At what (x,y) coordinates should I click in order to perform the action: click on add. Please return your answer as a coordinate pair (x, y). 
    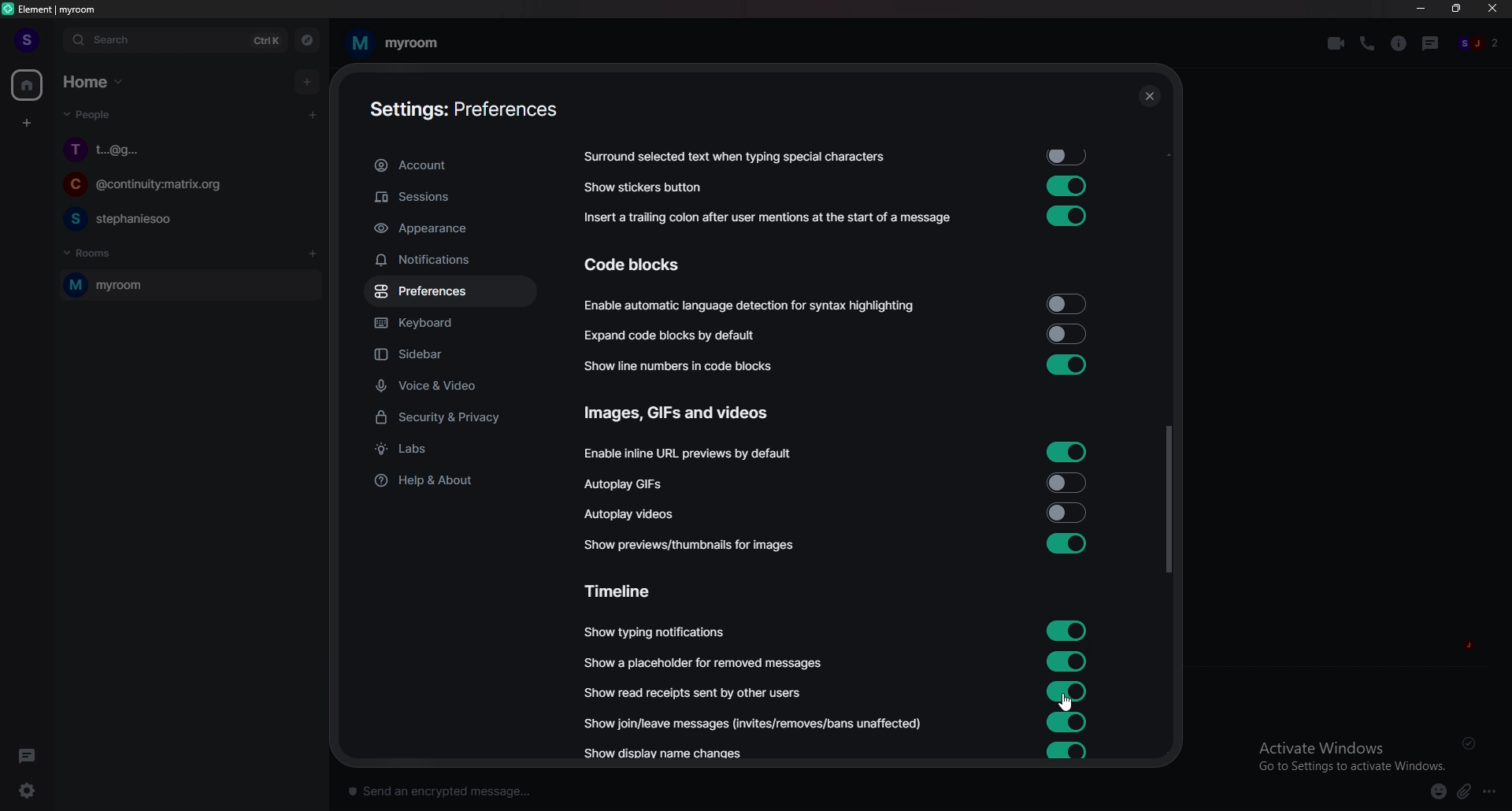
    Looking at the image, I should click on (309, 81).